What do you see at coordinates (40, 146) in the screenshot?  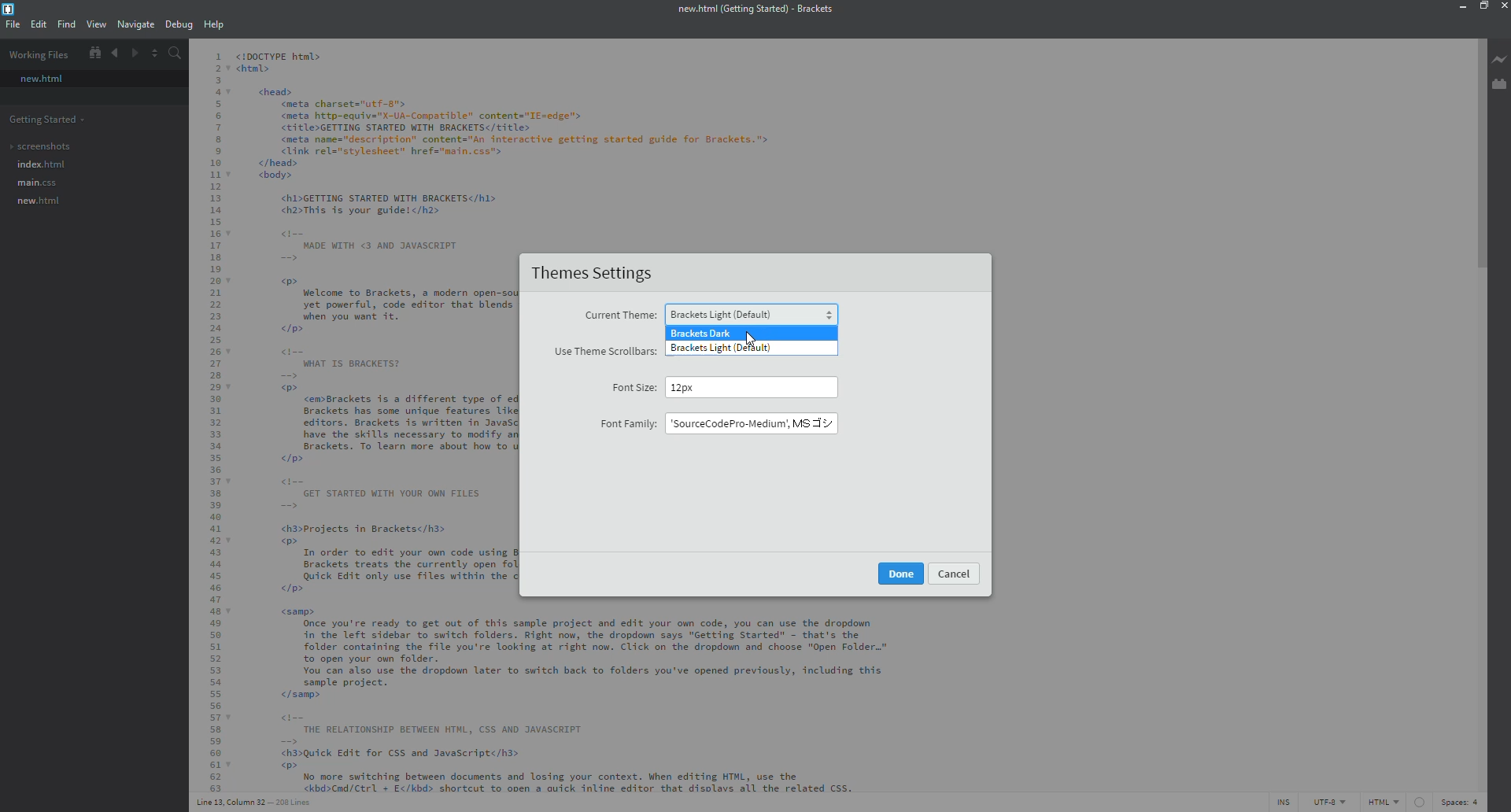 I see `screenshots` at bounding box center [40, 146].